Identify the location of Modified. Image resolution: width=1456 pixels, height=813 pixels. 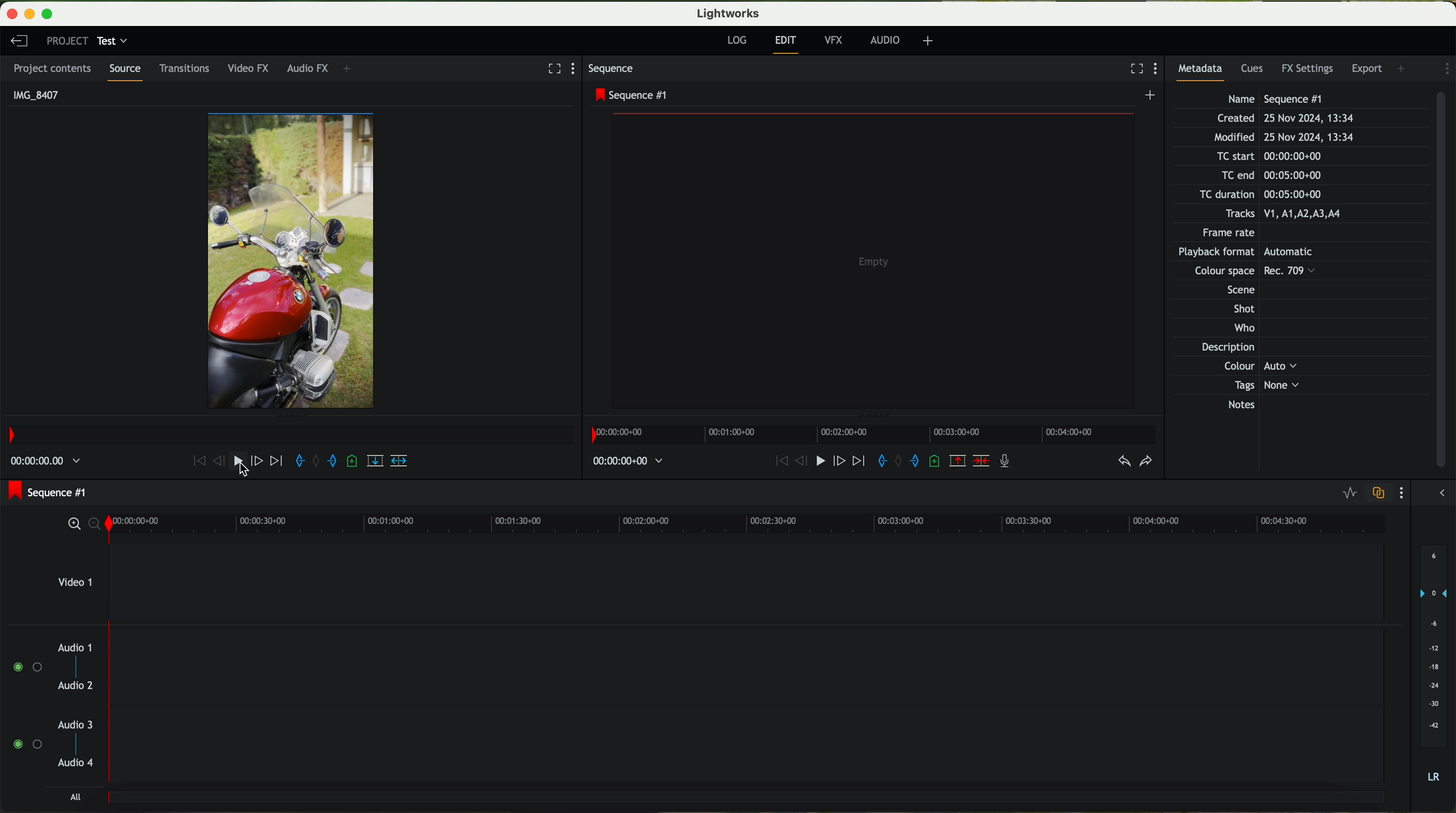
(1282, 138).